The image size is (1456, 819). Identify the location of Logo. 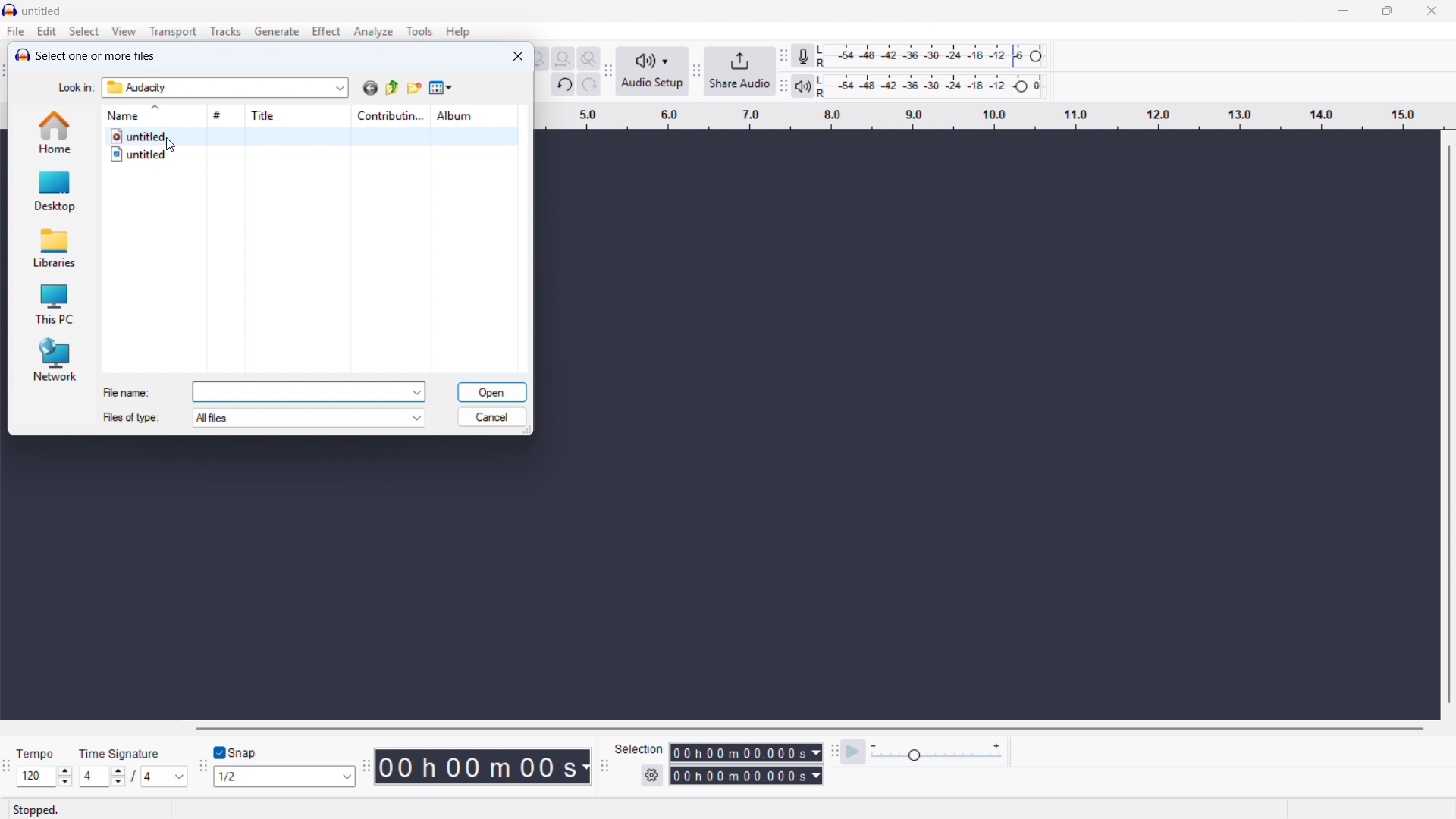
(22, 55).